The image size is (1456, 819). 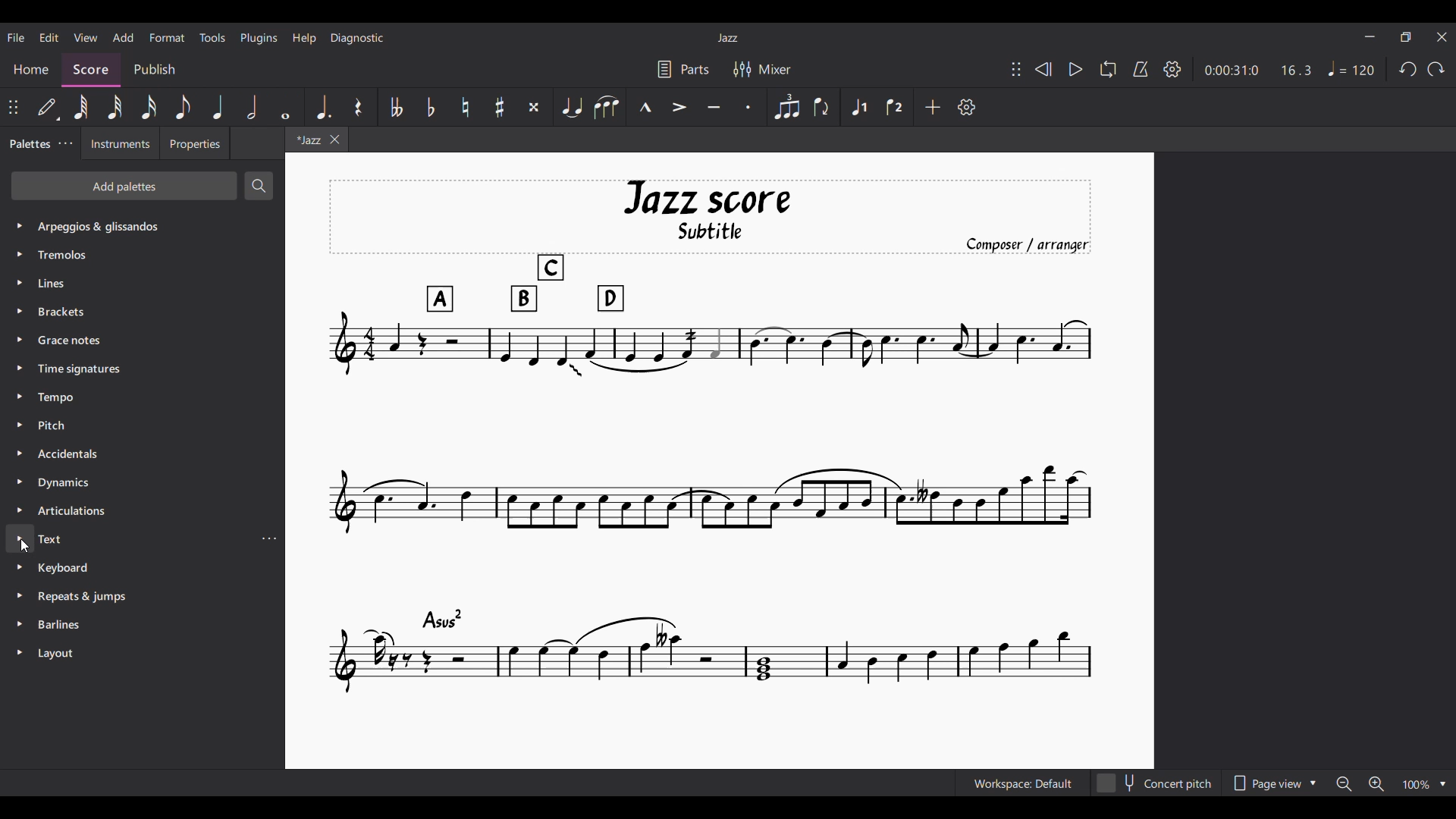 I want to click on , so click(x=62, y=425).